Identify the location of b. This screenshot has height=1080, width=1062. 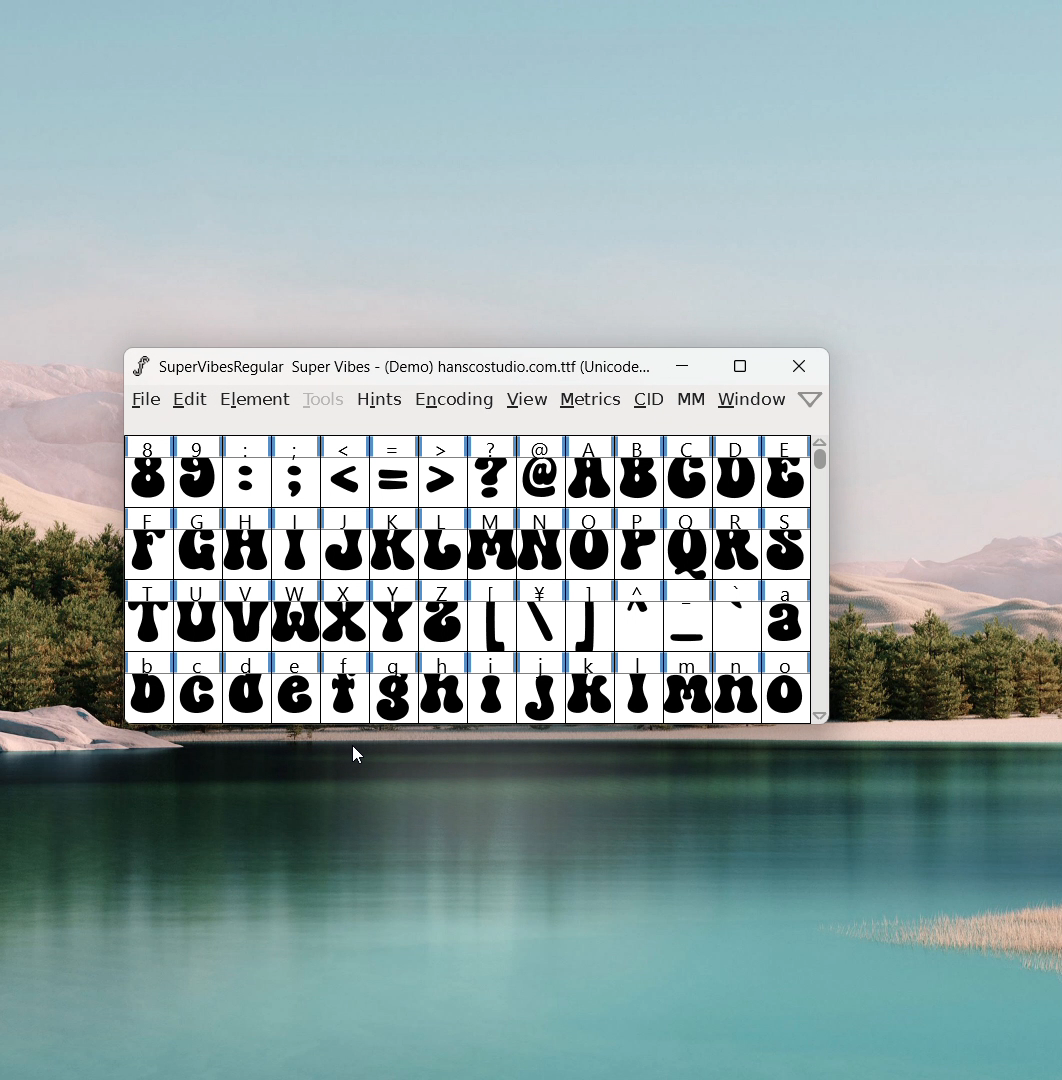
(148, 688).